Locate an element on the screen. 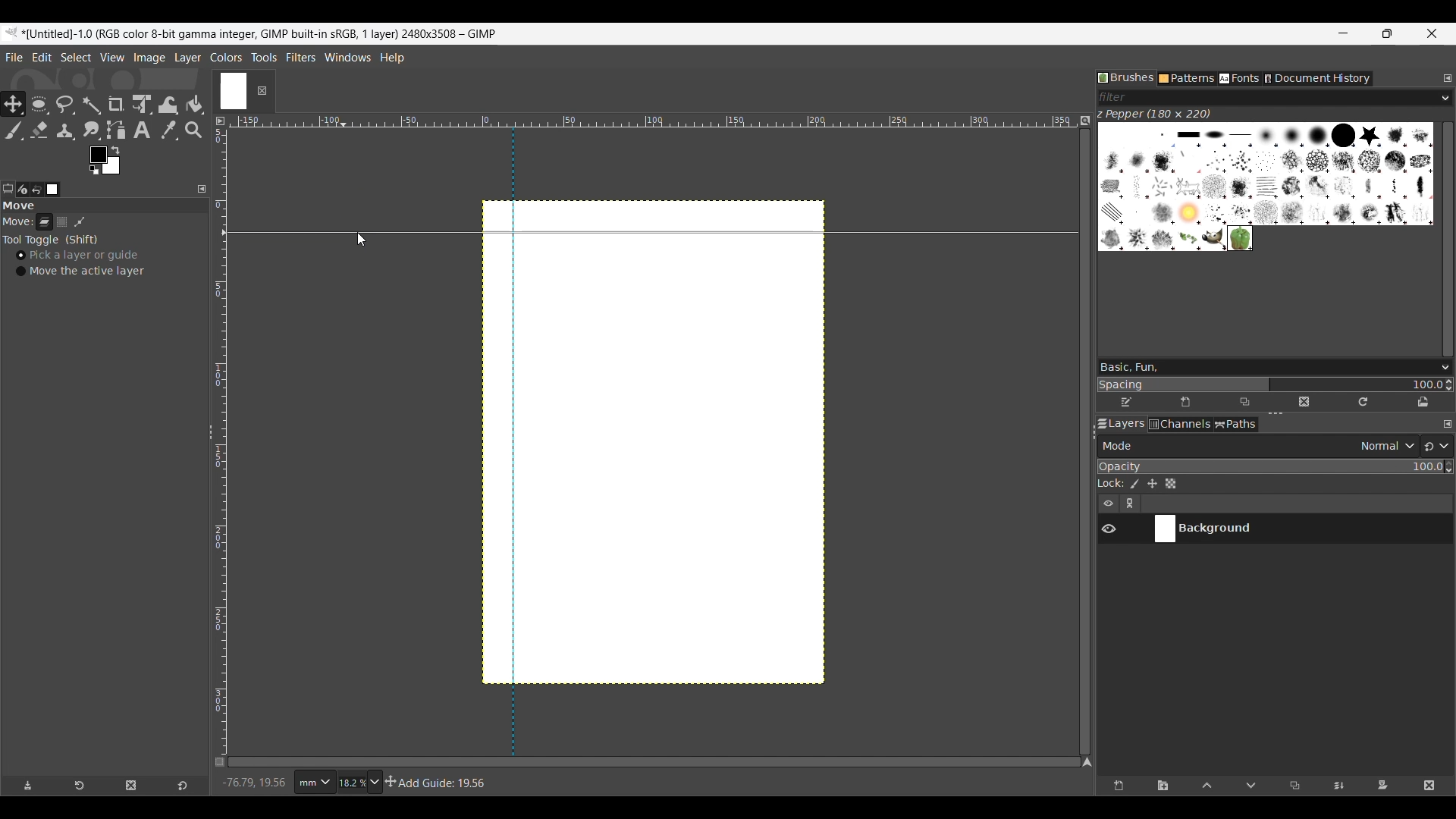 The height and width of the screenshot is (819, 1456). Refresh brushes is located at coordinates (1363, 403).